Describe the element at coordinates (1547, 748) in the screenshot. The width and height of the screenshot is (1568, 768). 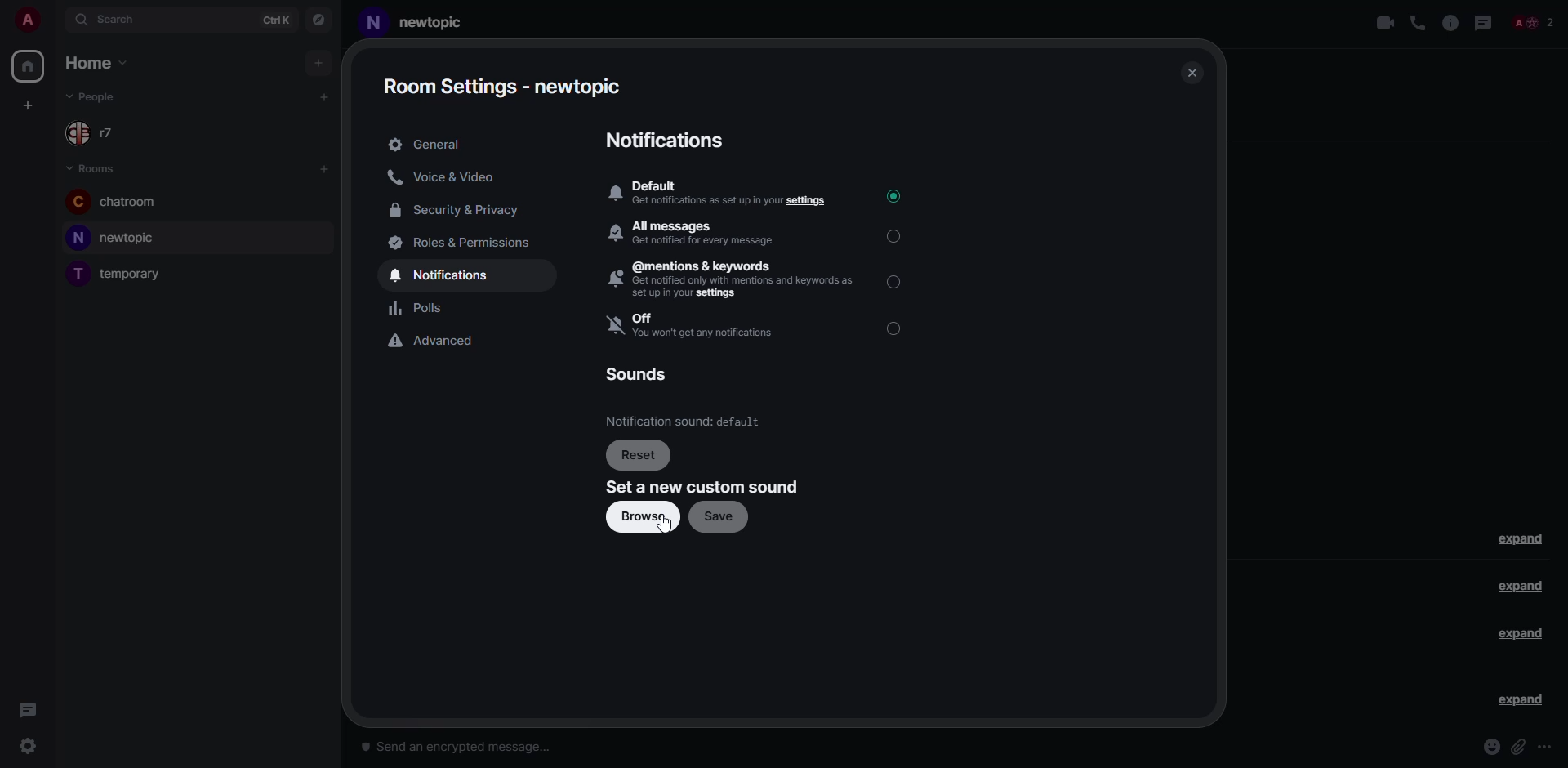
I see `more` at that location.